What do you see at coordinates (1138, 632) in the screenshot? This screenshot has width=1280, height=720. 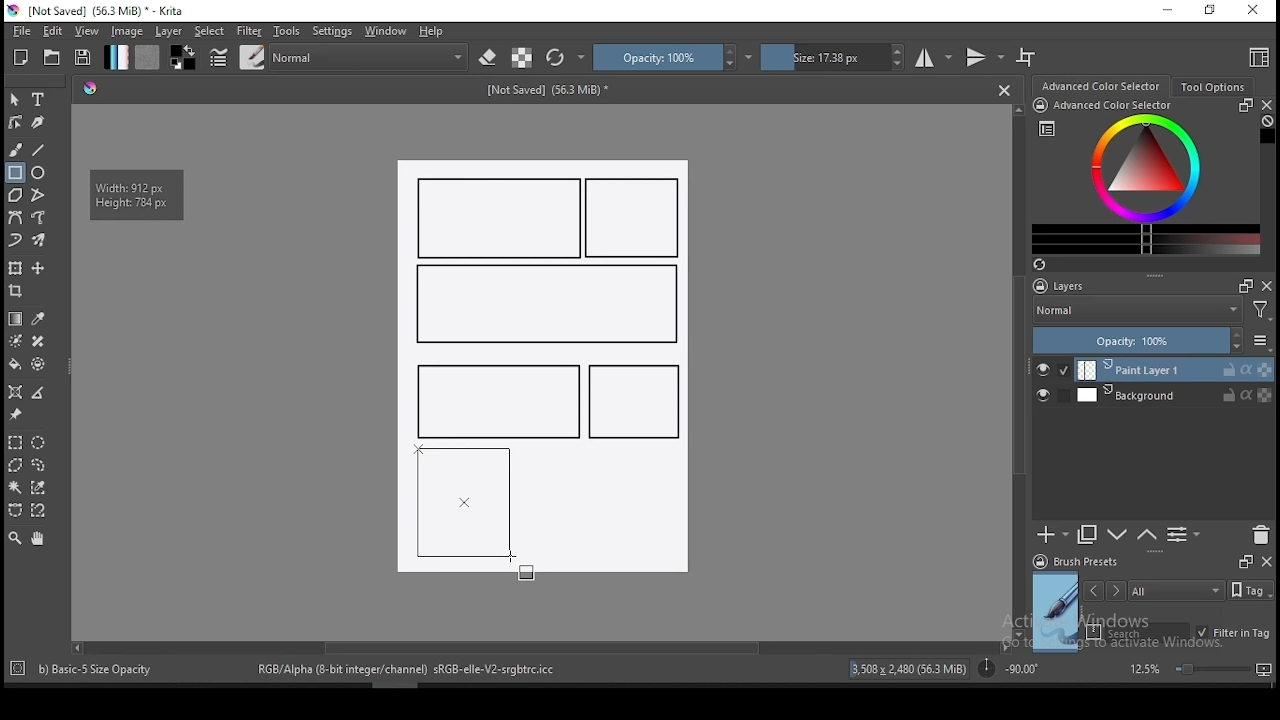 I see `search` at bounding box center [1138, 632].